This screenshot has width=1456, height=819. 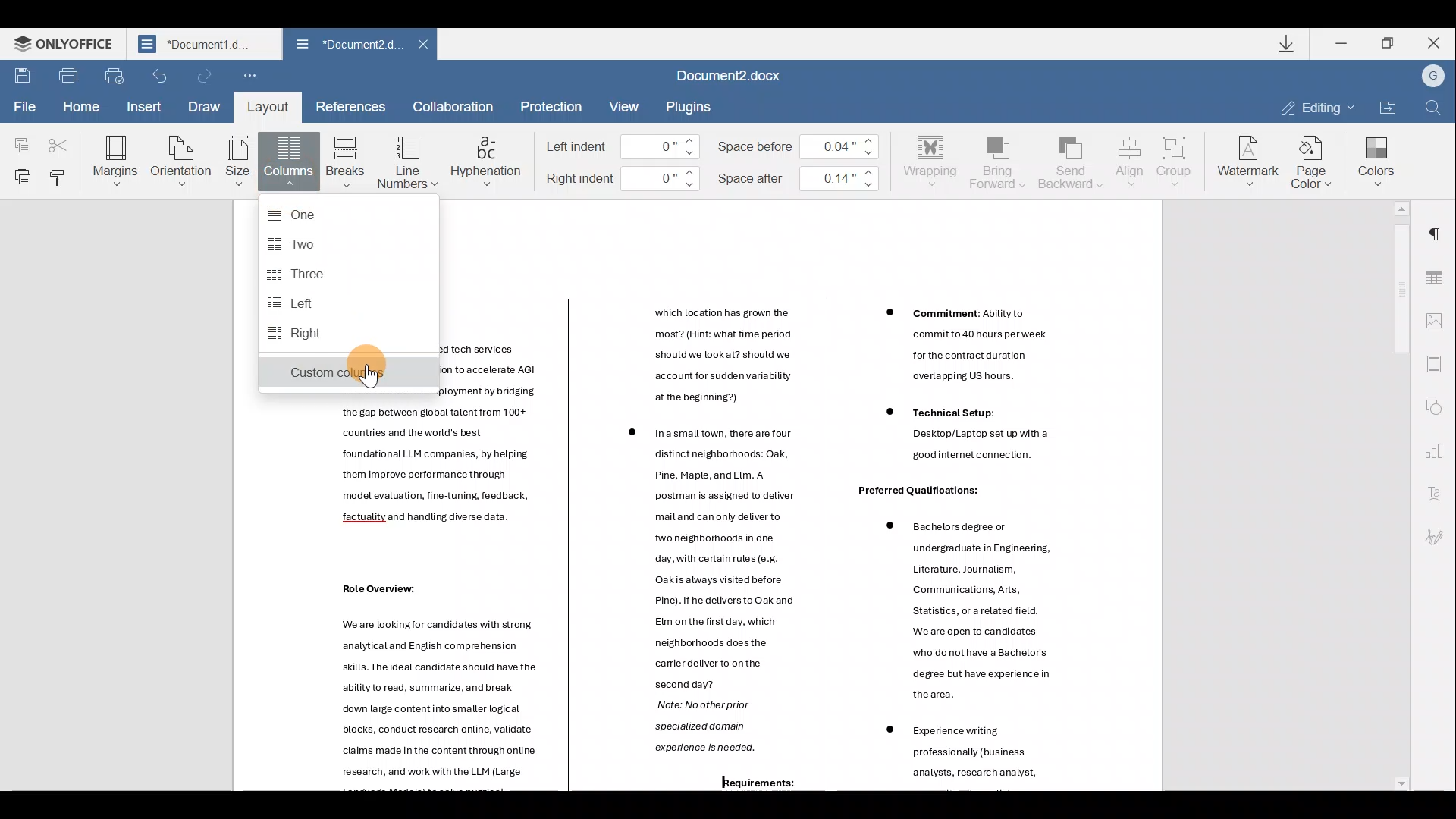 I want to click on Send backward, so click(x=1068, y=161).